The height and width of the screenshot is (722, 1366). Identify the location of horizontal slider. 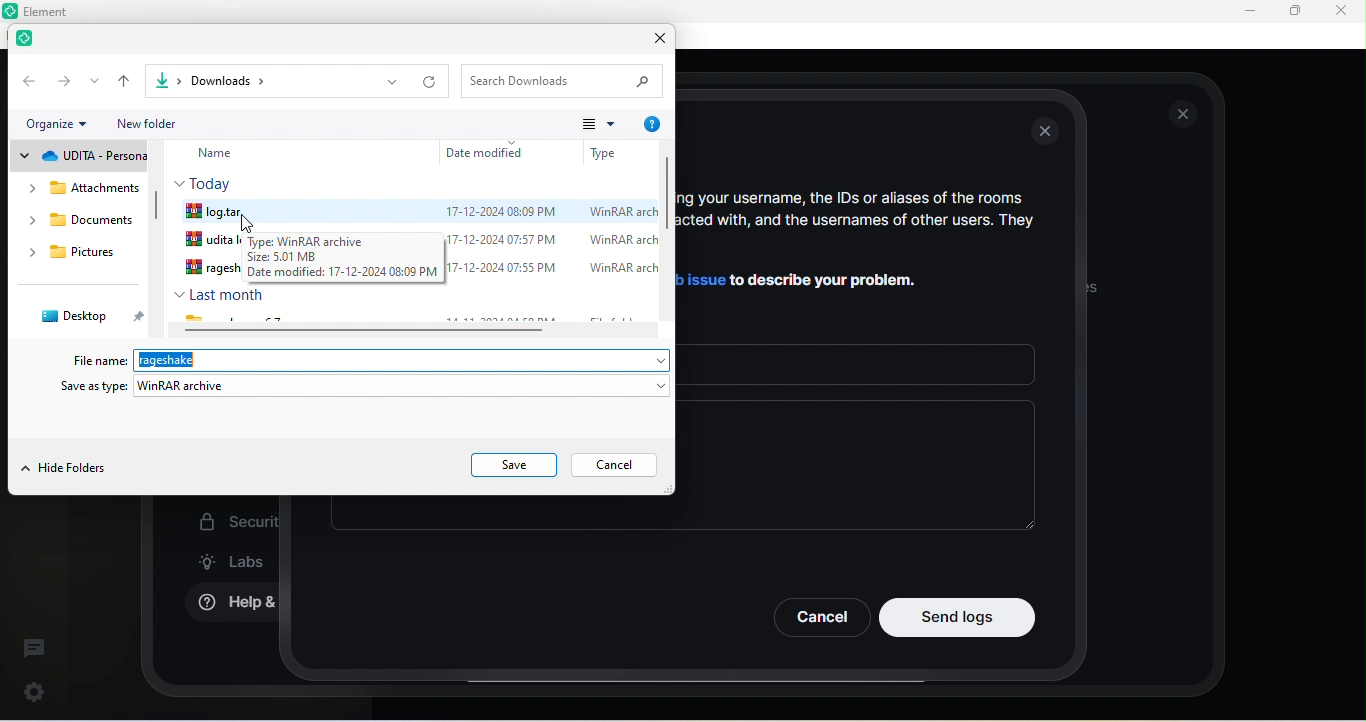
(419, 331).